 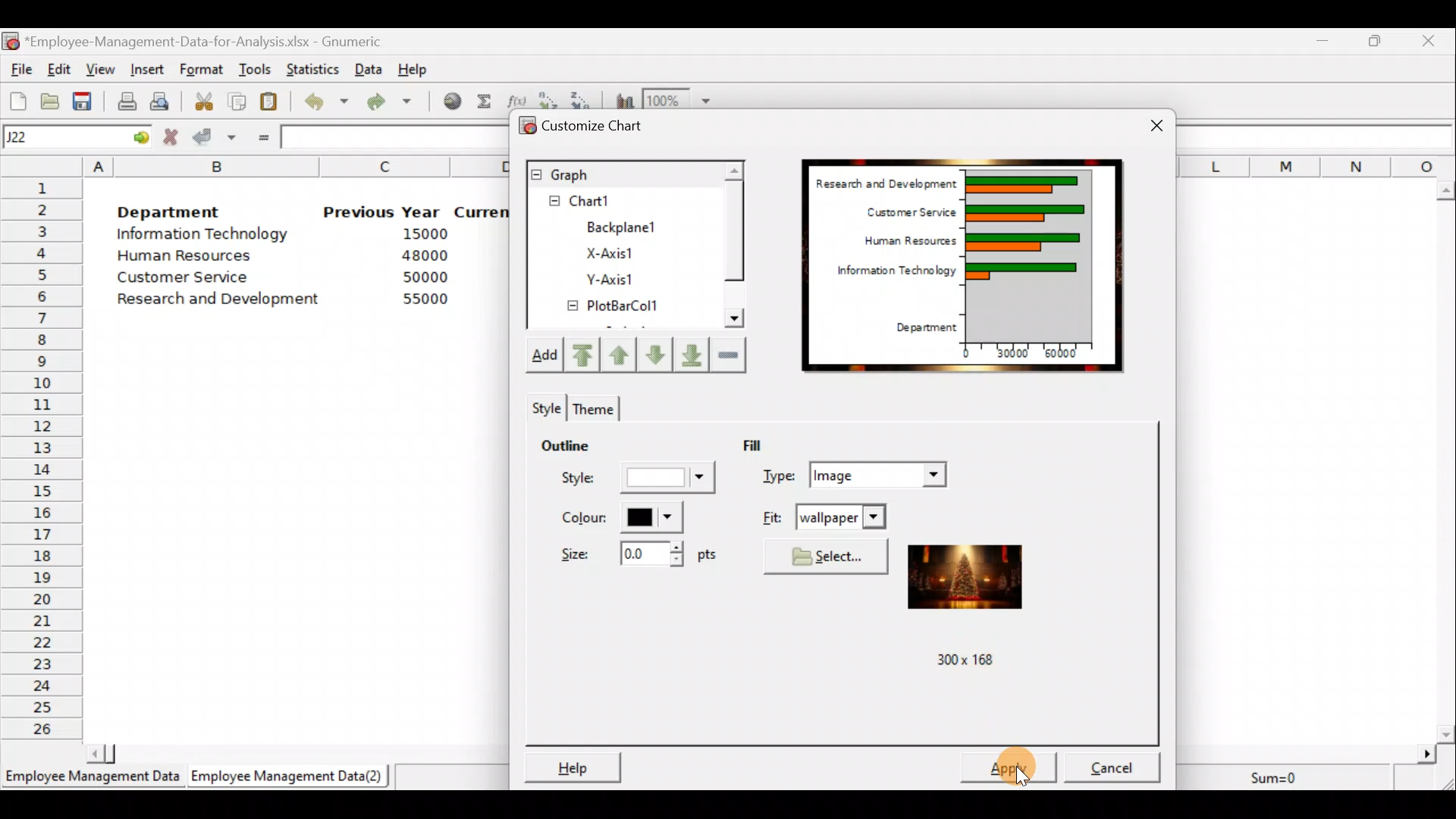 I want to click on Information Technology, so click(x=203, y=237).